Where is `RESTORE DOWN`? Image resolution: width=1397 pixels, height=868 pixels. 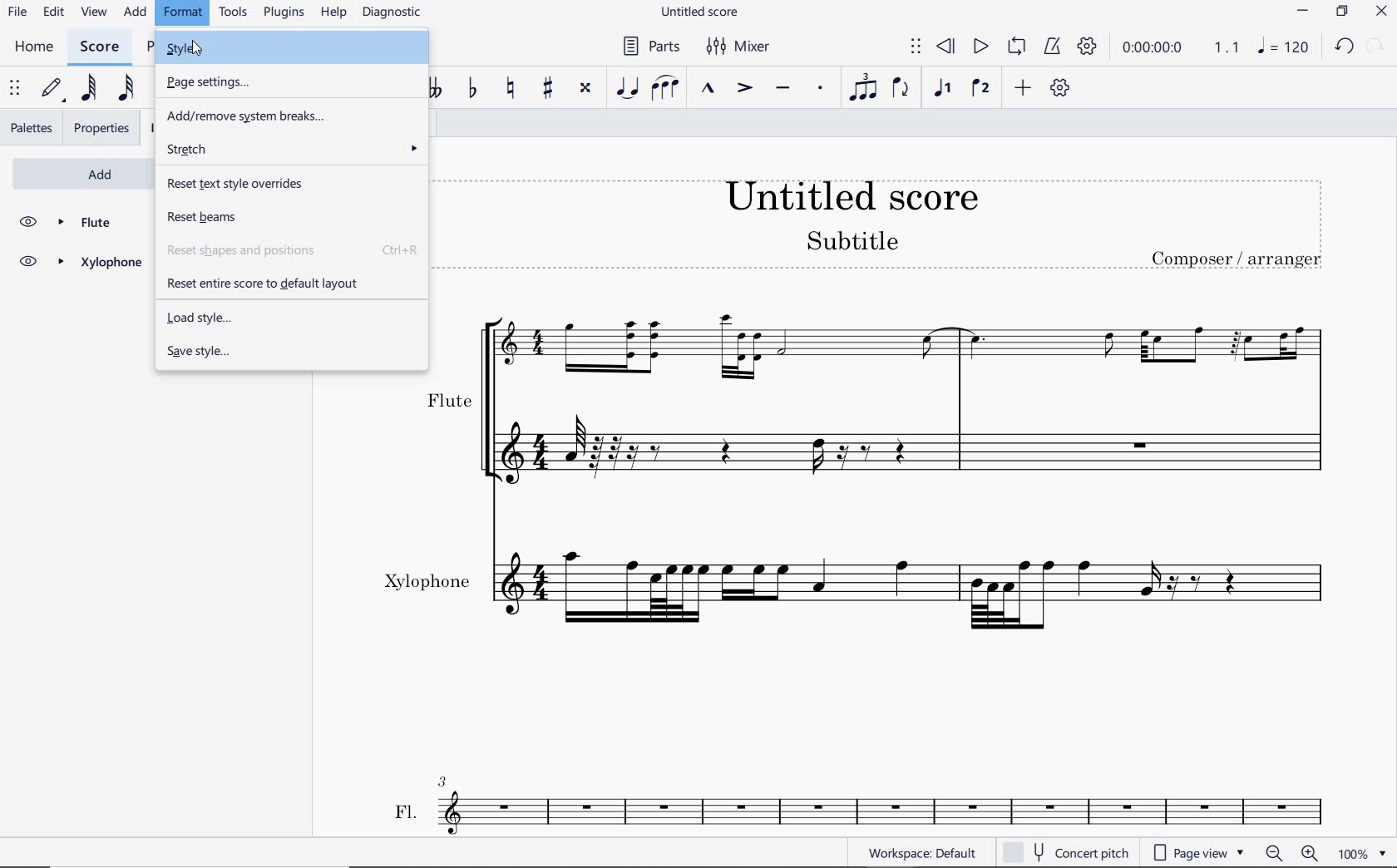 RESTORE DOWN is located at coordinates (1341, 12).